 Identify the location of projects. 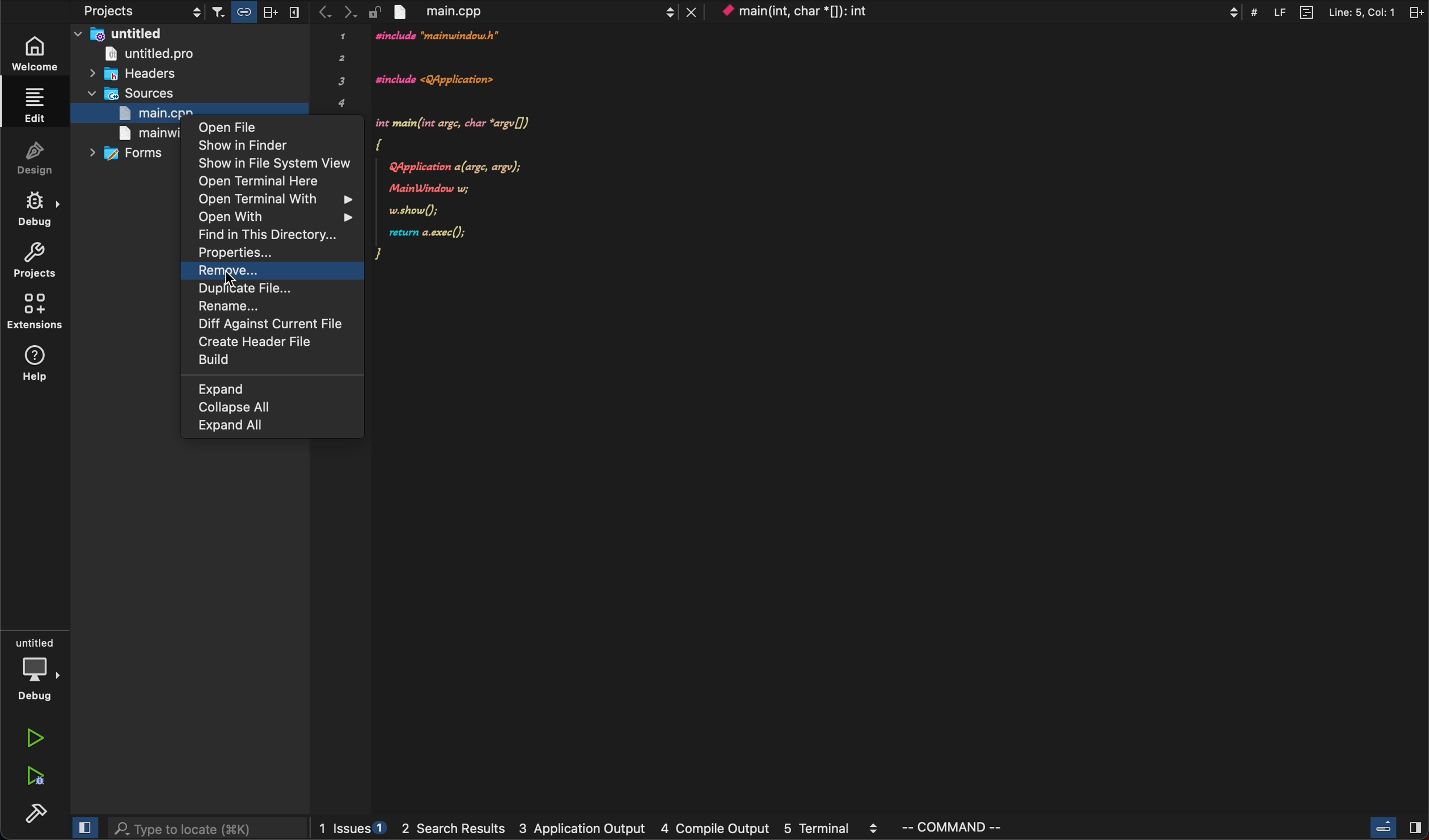
(113, 11).